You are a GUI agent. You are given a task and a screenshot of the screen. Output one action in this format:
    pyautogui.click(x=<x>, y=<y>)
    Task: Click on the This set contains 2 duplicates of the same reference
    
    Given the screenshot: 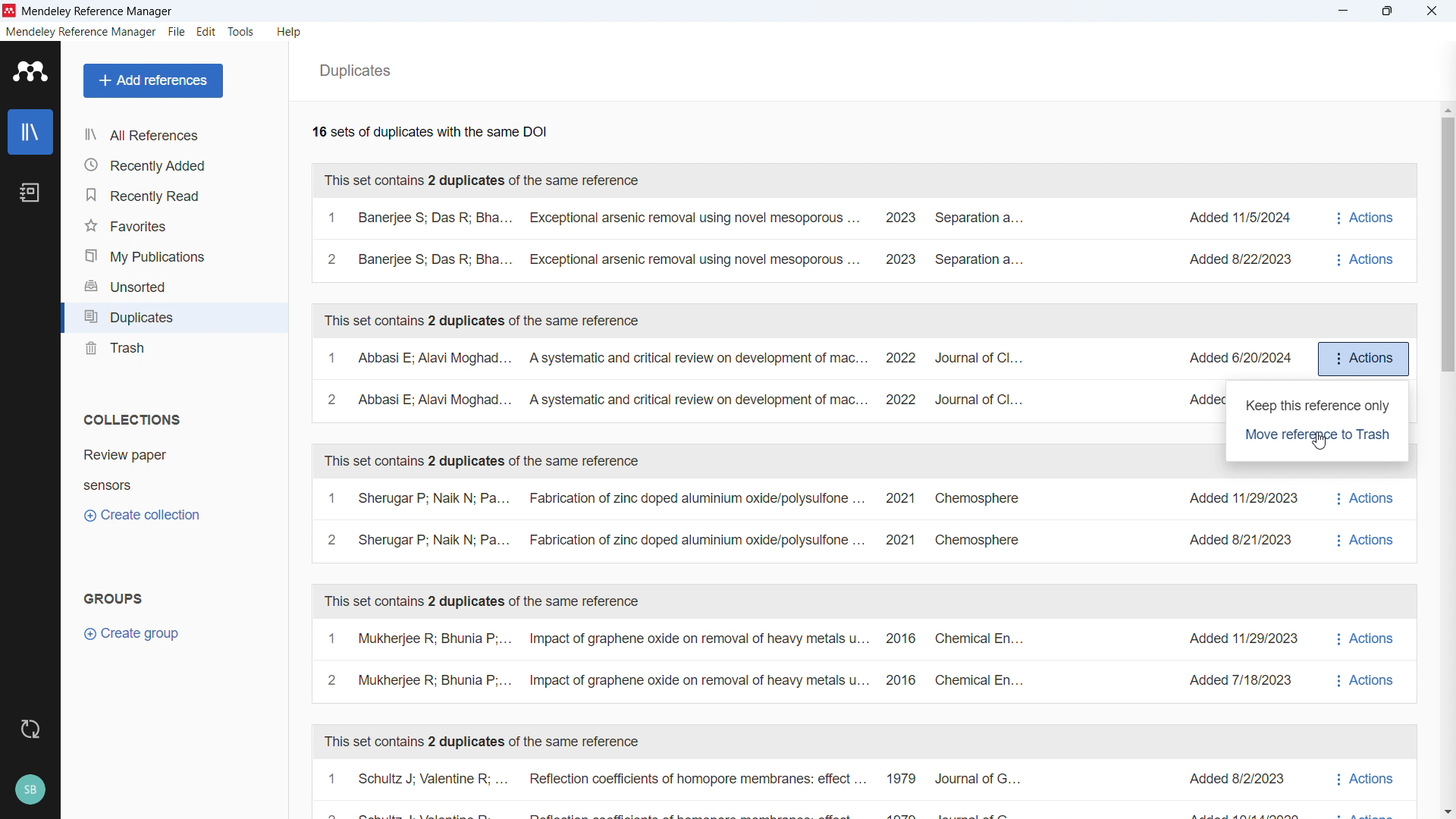 What is the action you would take?
    pyautogui.click(x=488, y=321)
    